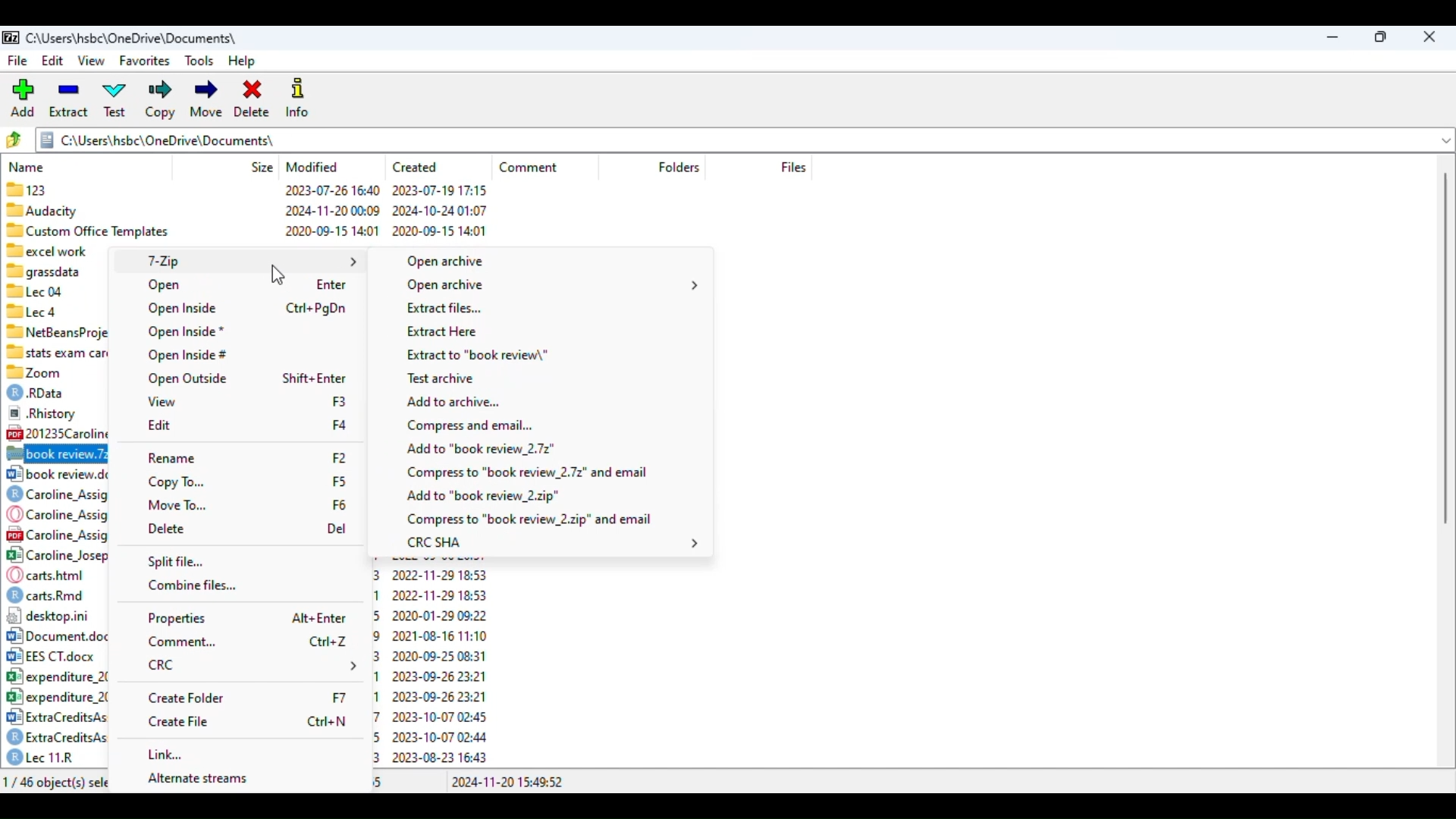 This screenshot has height=819, width=1456. What do you see at coordinates (252, 100) in the screenshot?
I see `delete` at bounding box center [252, 100].